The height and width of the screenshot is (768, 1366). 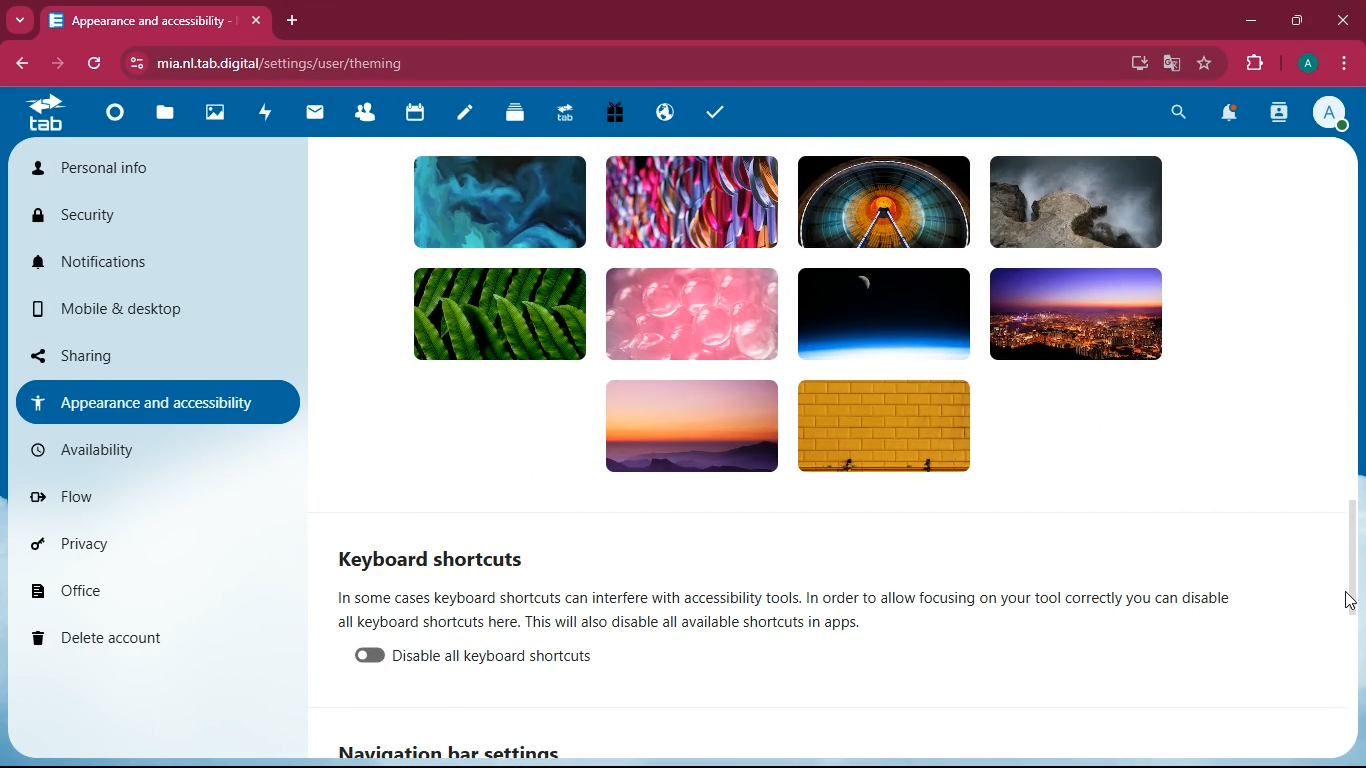 What do you see at coordinates (153, 546) in the screenshot?
I see `privacy` at bounding box center [153, 546].